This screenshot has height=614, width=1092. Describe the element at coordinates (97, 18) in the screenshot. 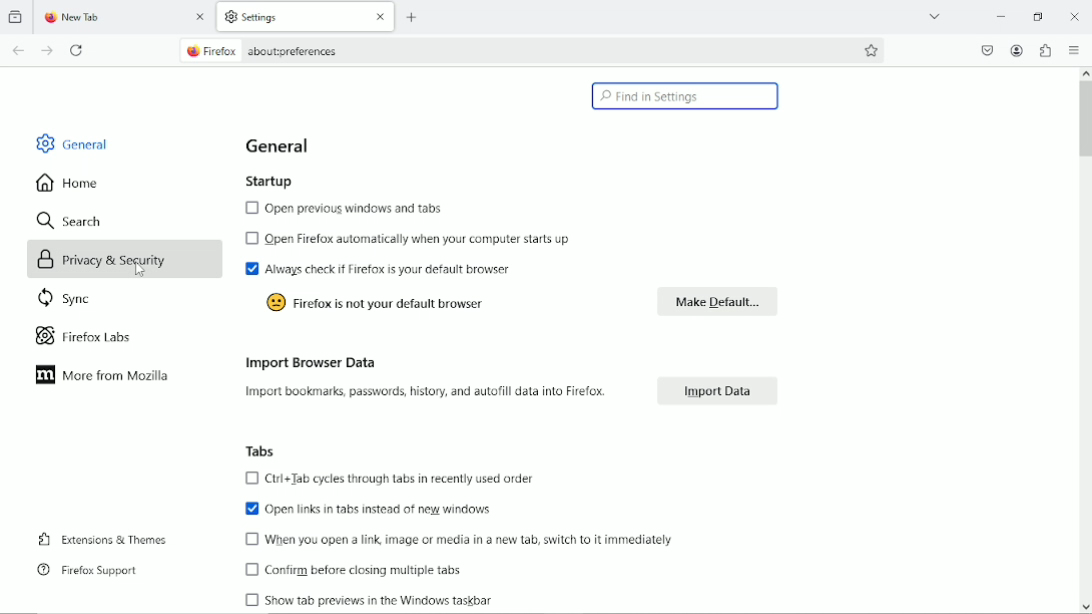

I see `new tab` at that location.